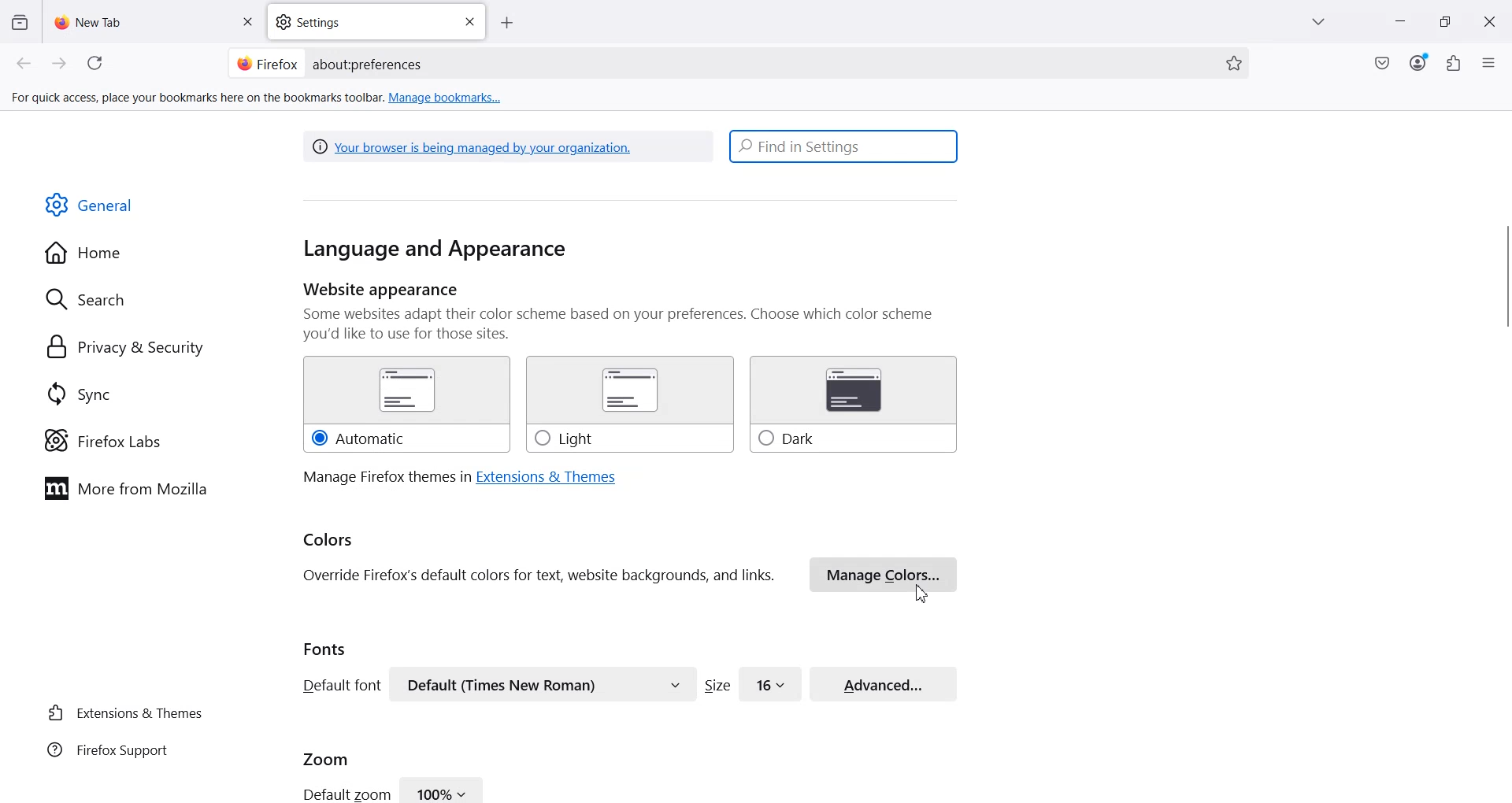  Describe the element at coordinates (1399, 23) in the screenshot. I see `Minimize` at that location.